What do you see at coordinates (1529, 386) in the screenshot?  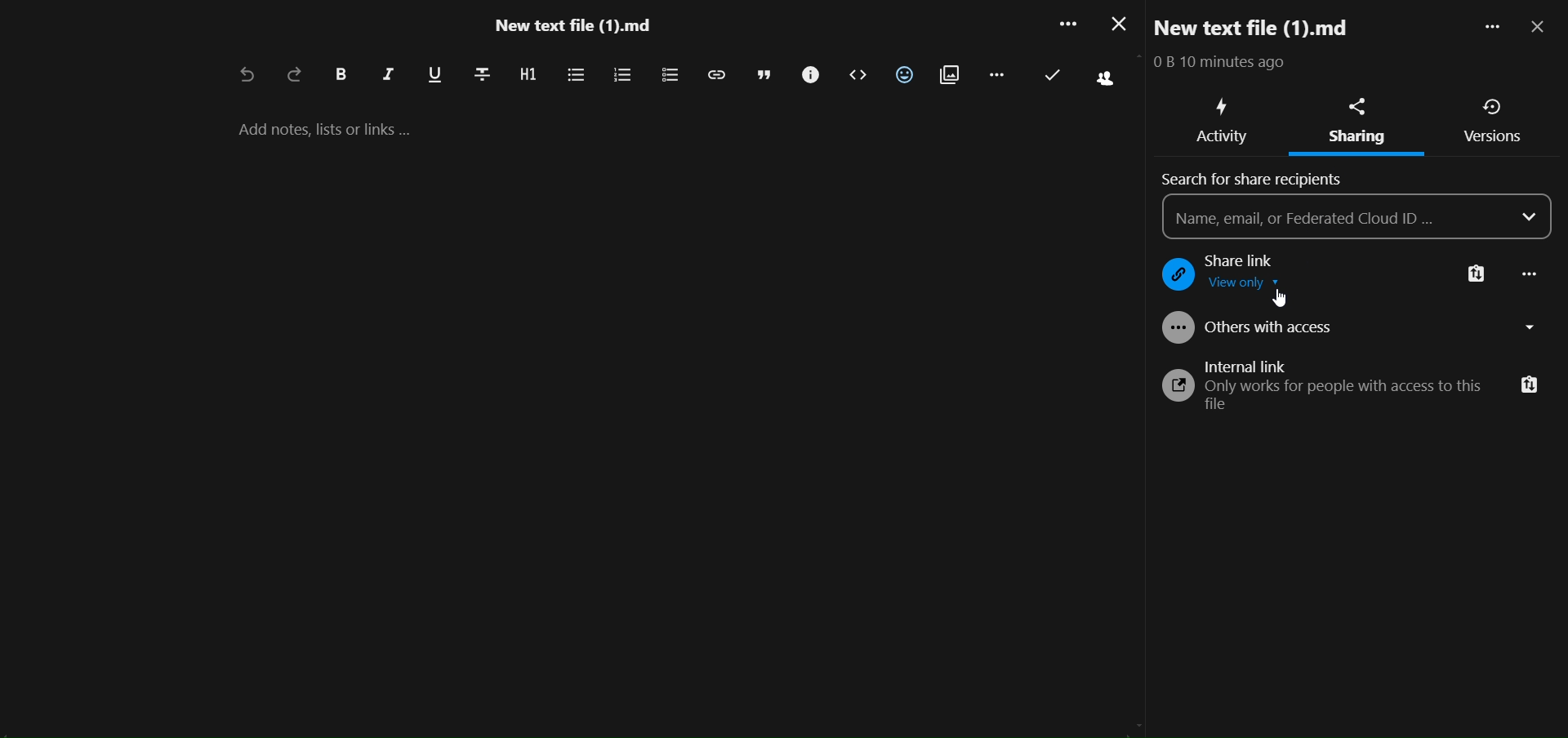 I see `copy link` at bounding box center [1529, 386].